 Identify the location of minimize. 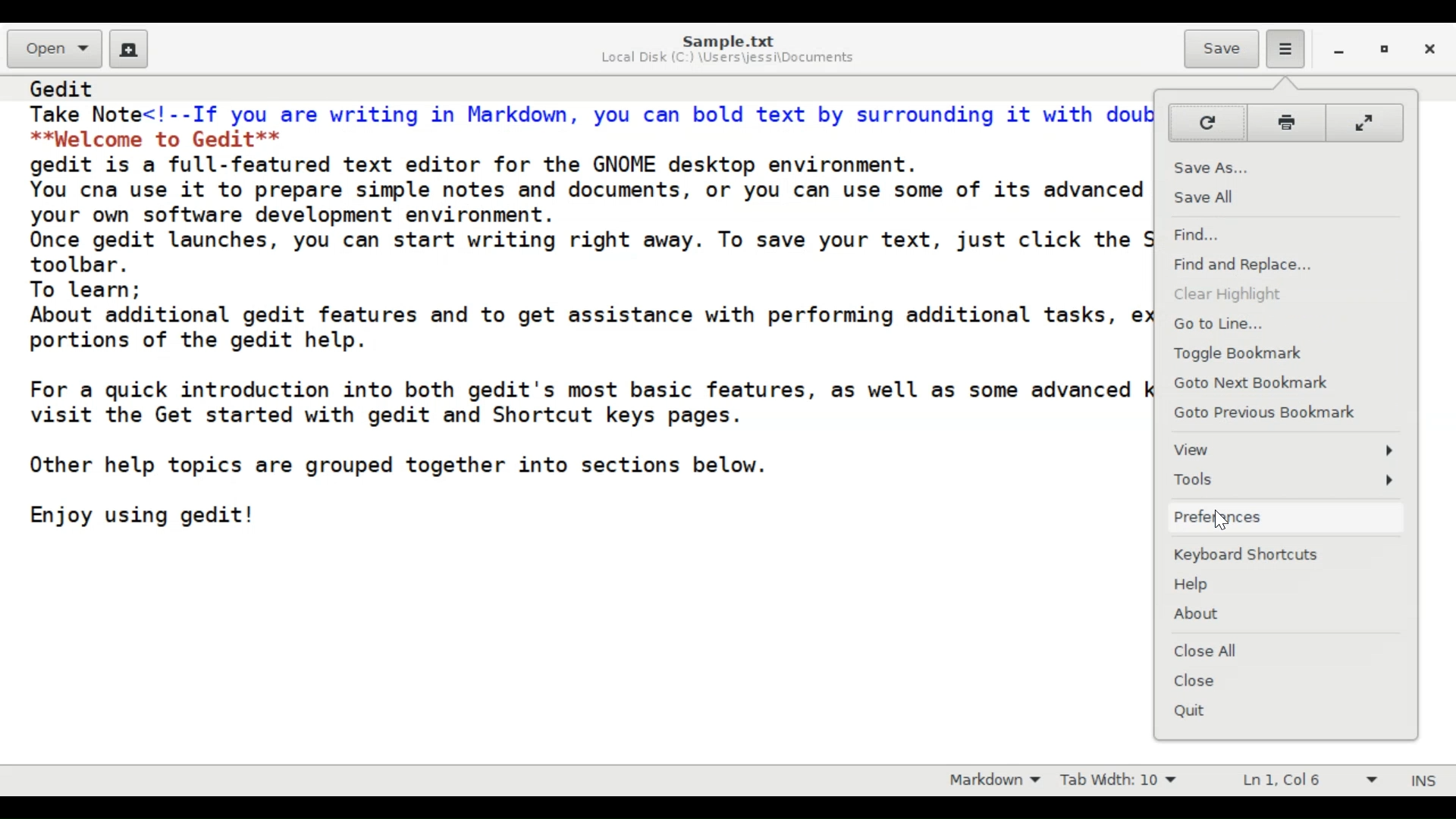
(1340, 52).